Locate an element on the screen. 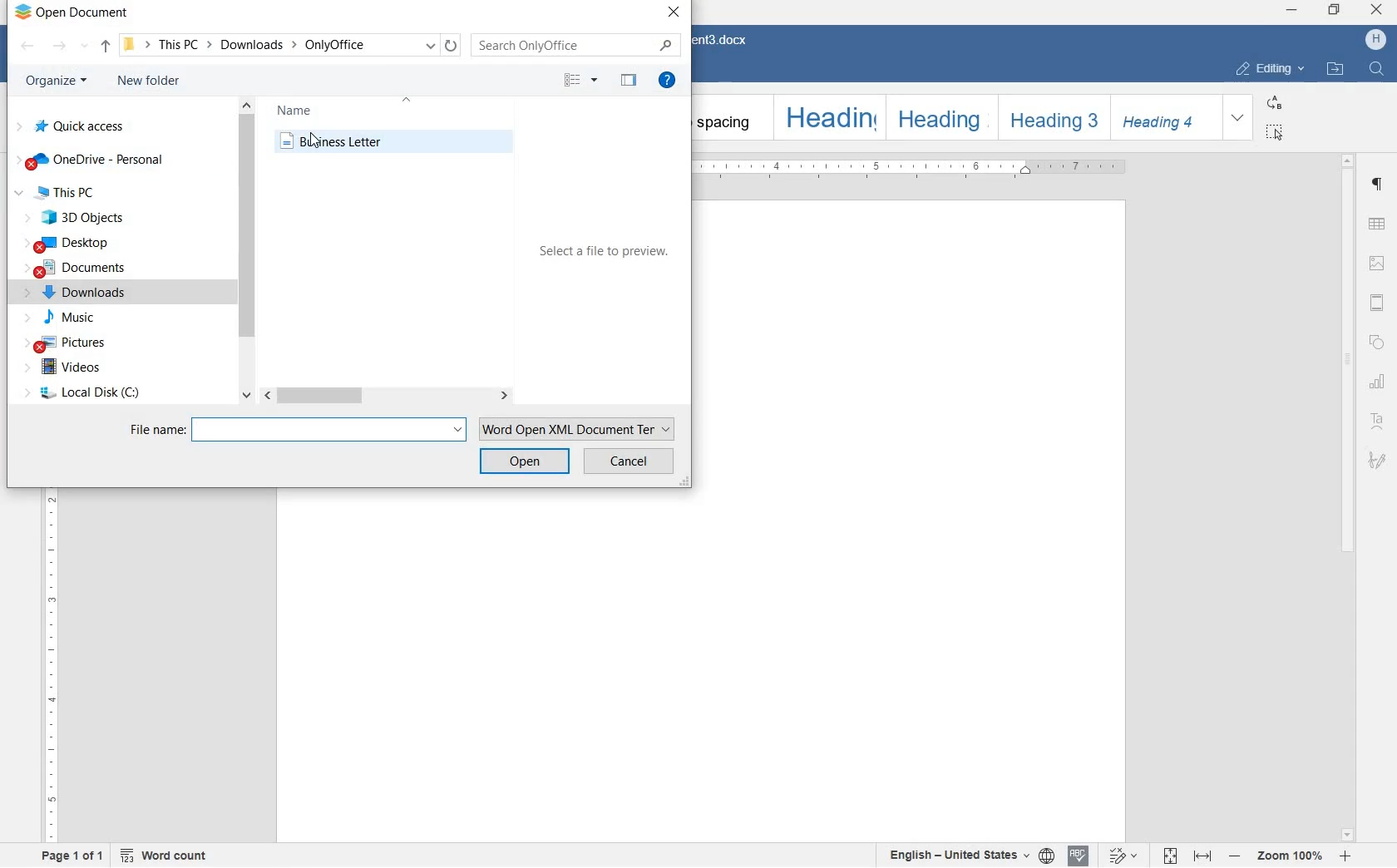 The image size is (1397, 868). list view is located at coordinates (579, 81).